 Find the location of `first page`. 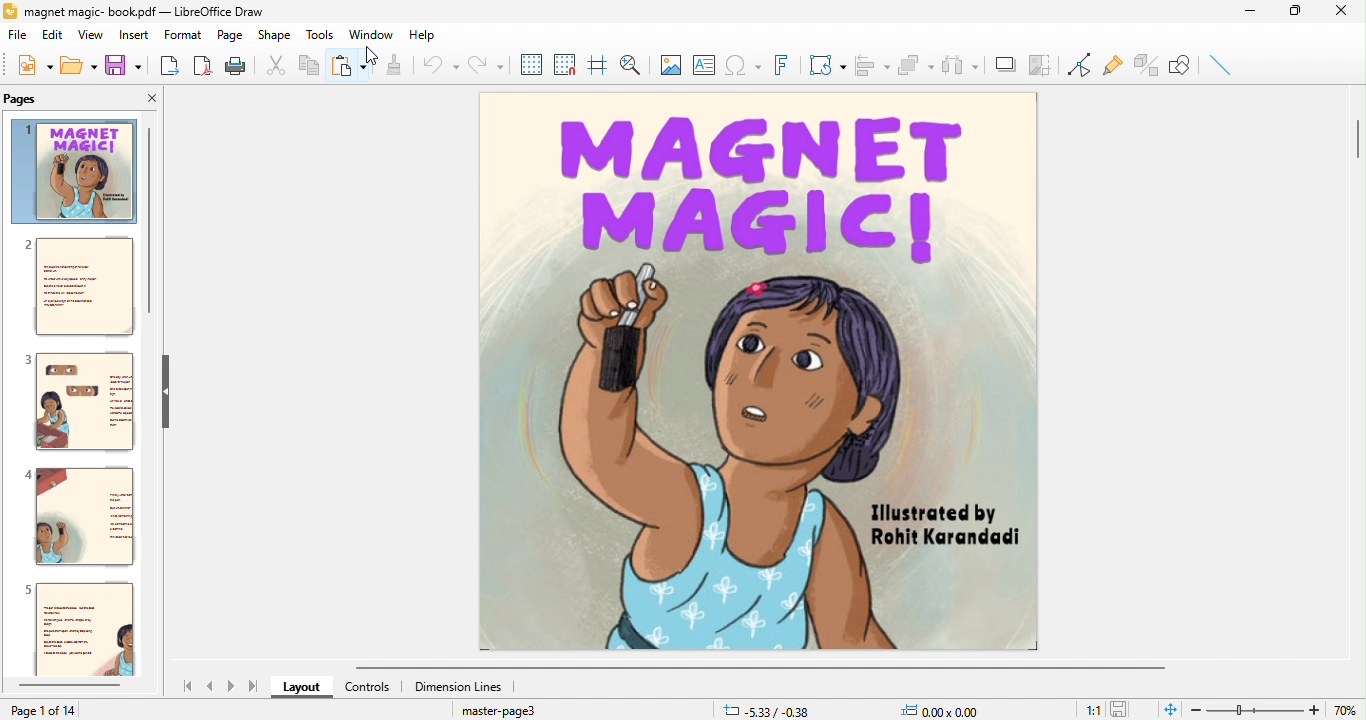

first page is located at coordinates (186, 685).